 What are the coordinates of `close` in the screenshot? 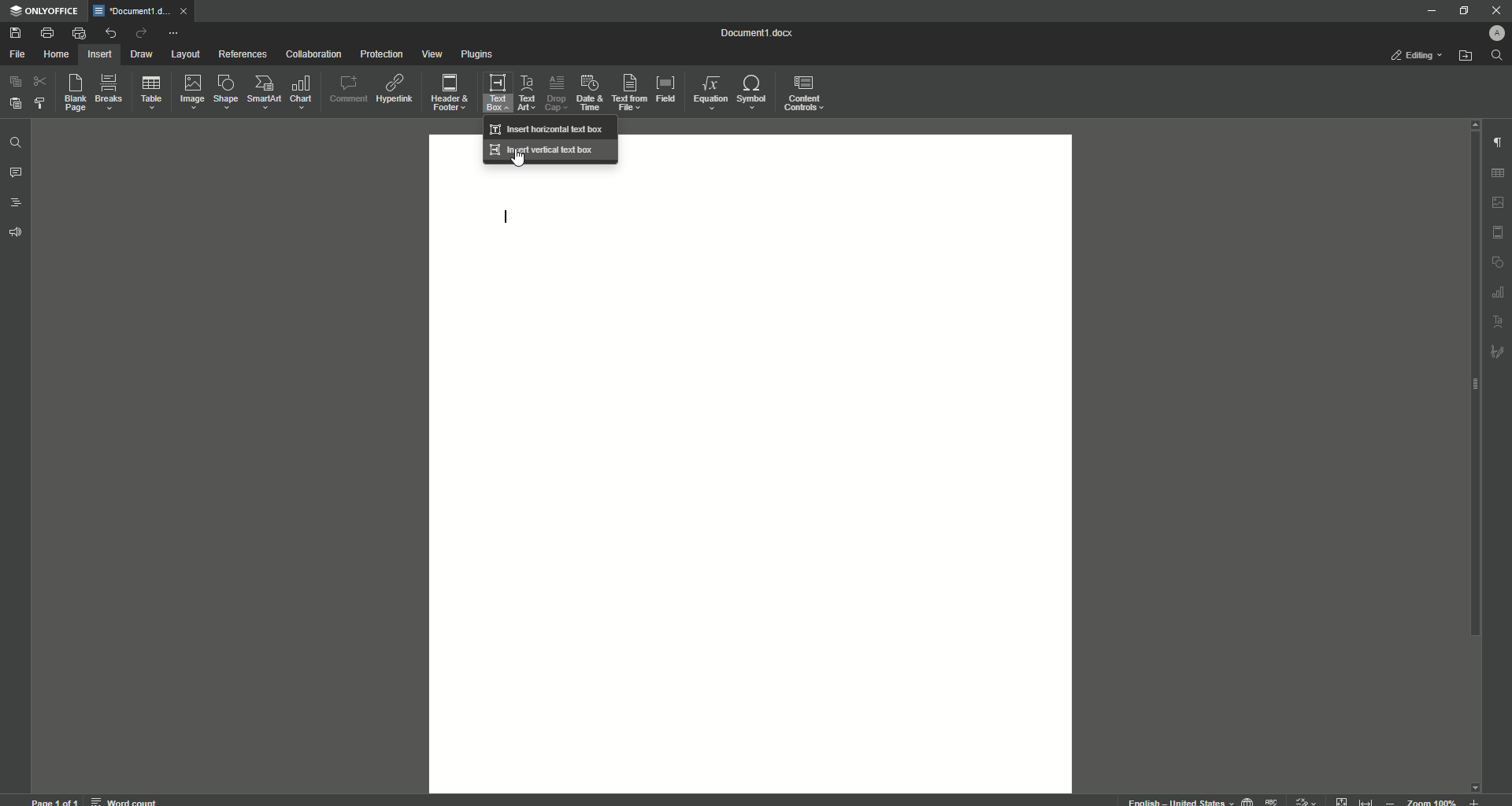 It's located at (187, 10).